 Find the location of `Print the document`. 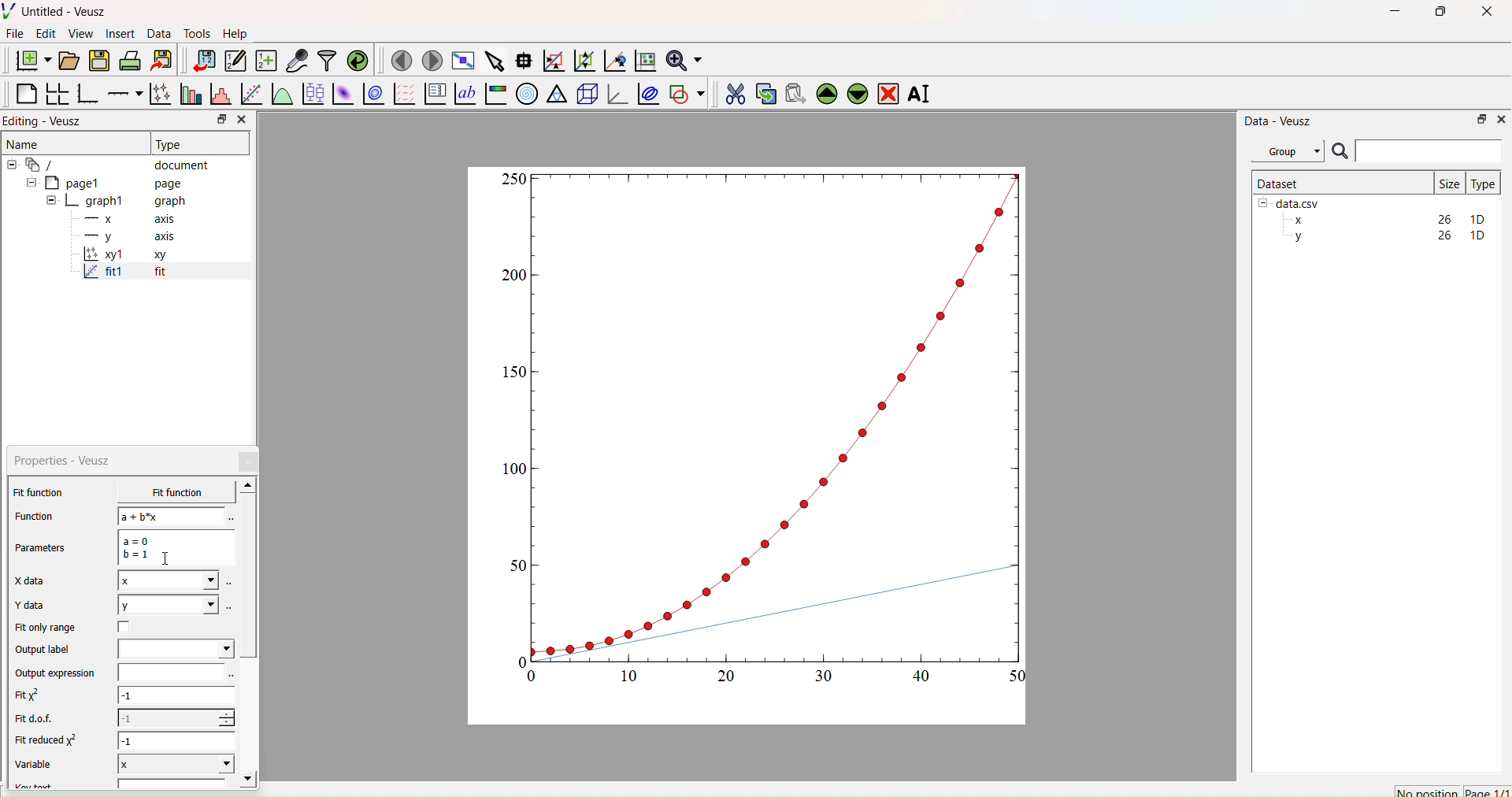

Print the document is located at coordinates (130, 59).